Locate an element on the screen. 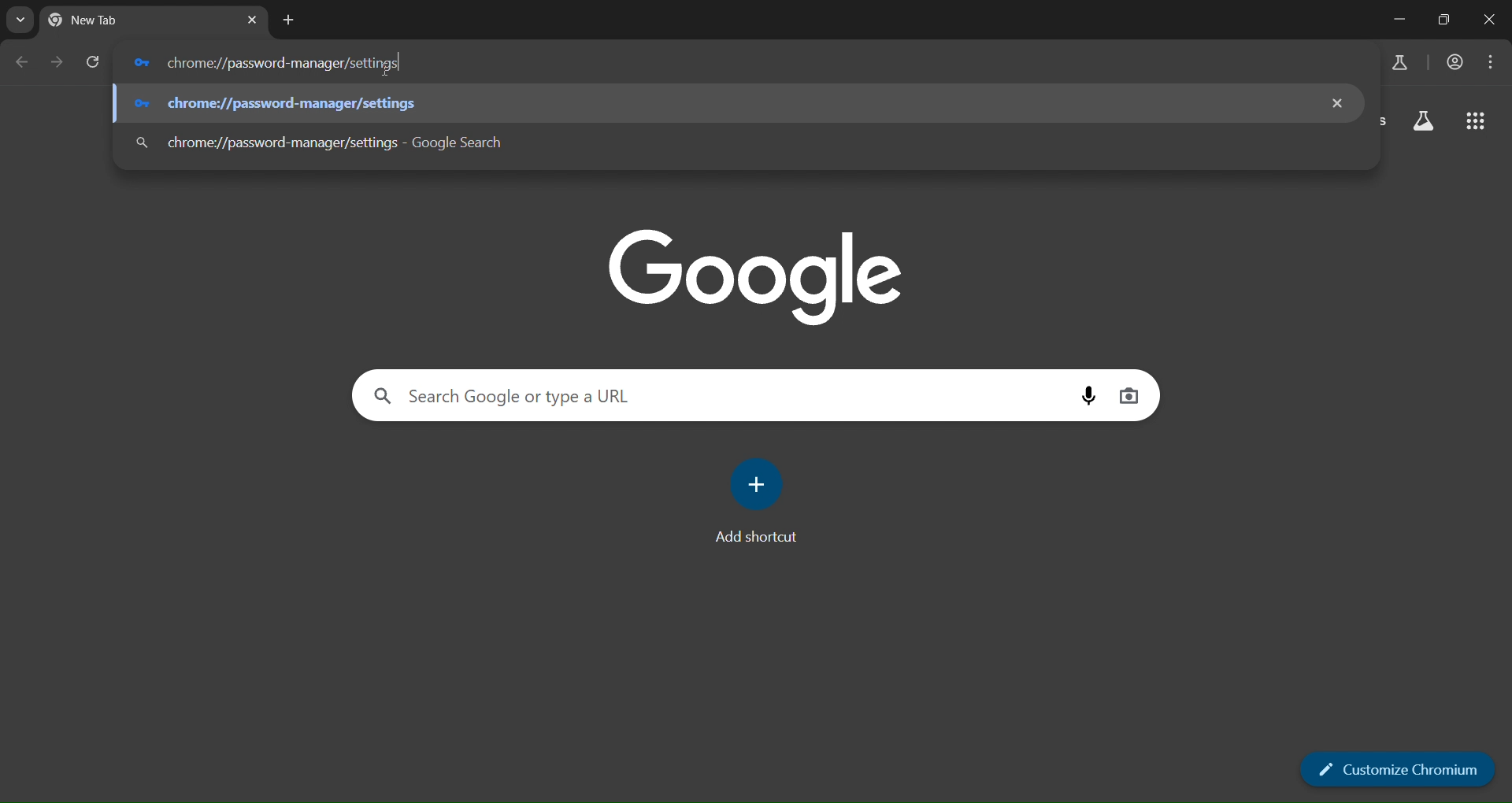 The height and width of the screenshot is (803, 1512). image search is located at coordinates (1128, 398).